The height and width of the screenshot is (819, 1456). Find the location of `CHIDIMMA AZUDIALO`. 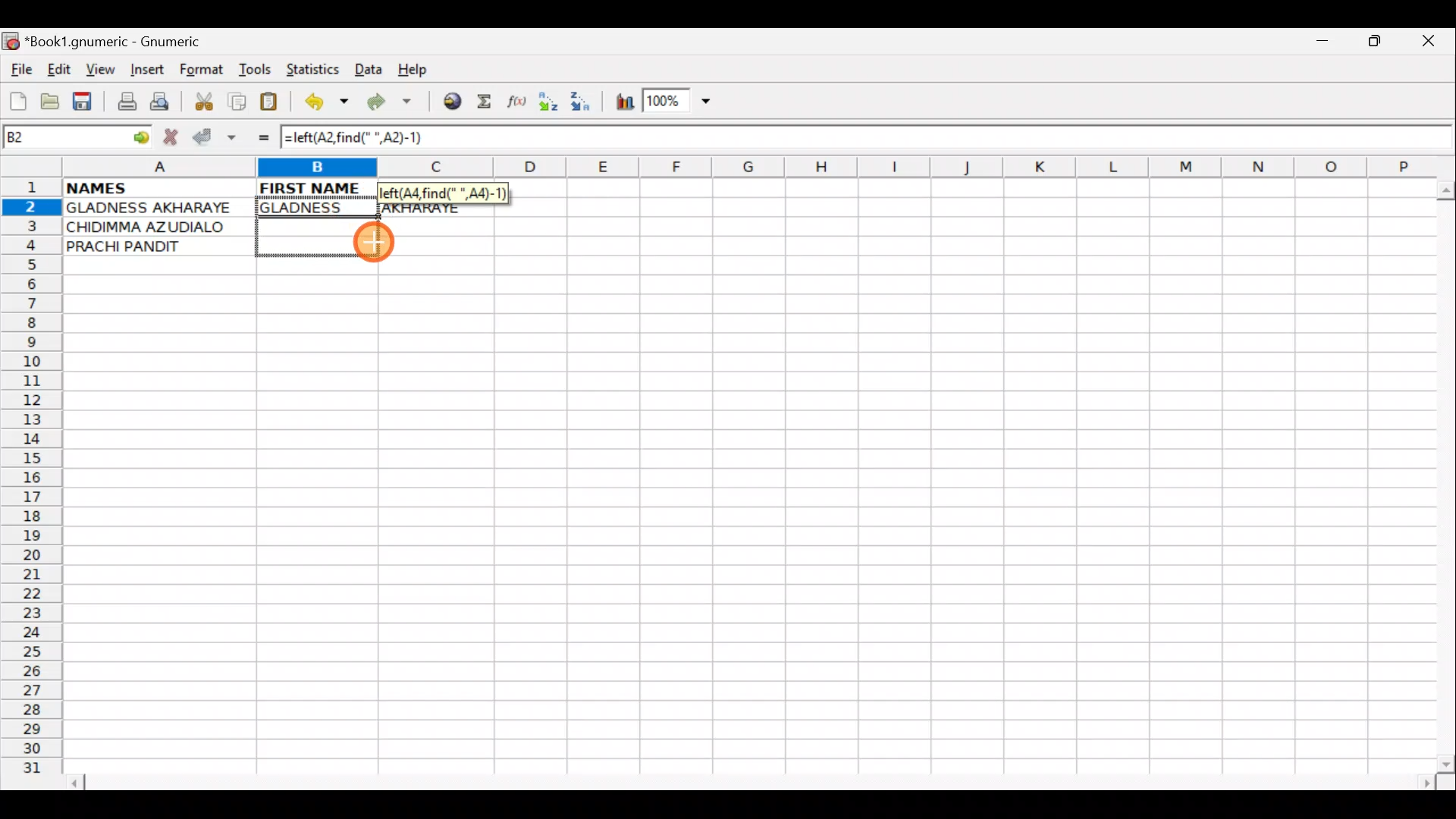

CHIDIMMA AZUDIALO is located at coordinates (152, 227).